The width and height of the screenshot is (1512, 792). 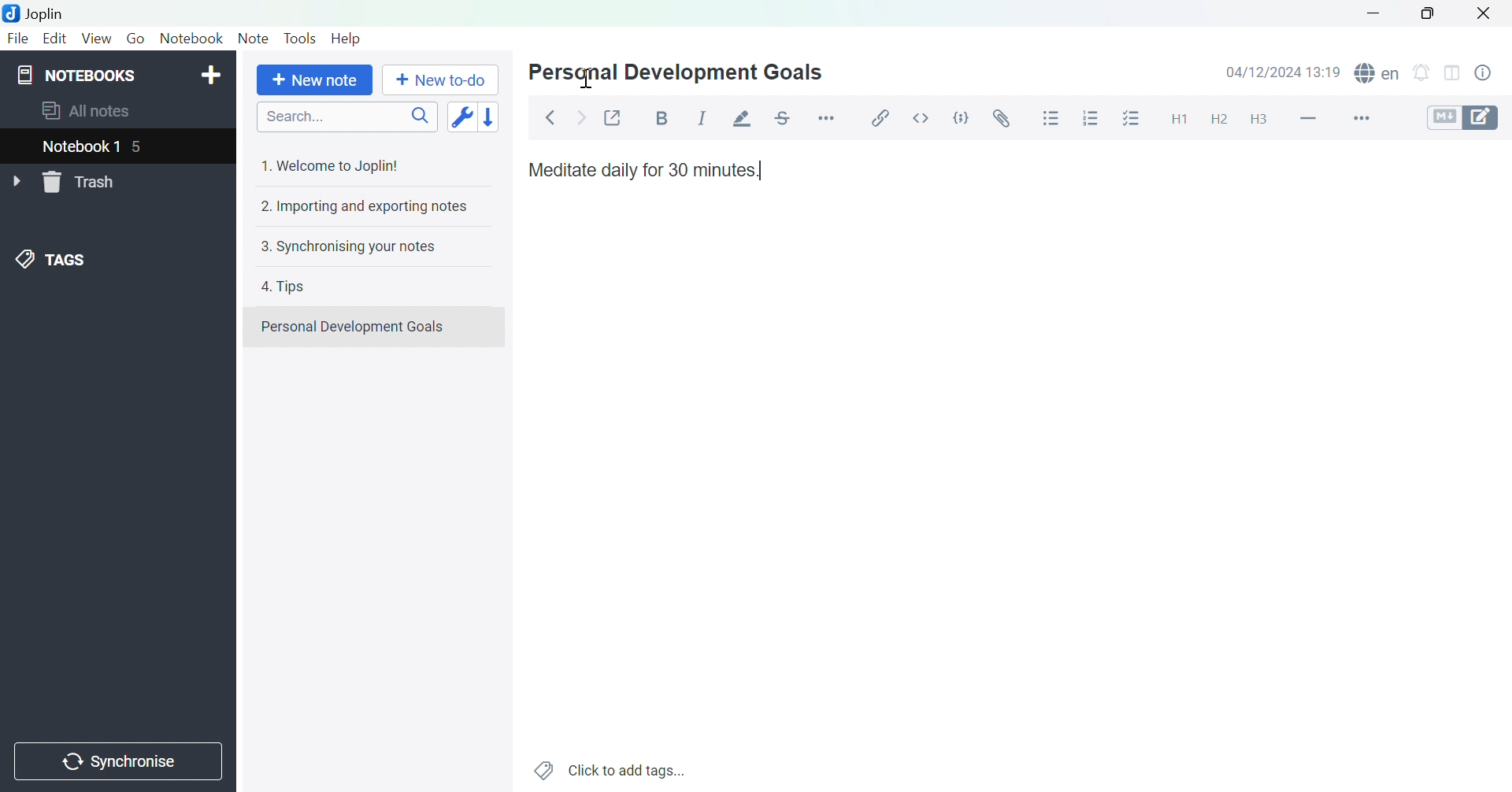 I want to click on Cursor, so click(x=587, y=78).